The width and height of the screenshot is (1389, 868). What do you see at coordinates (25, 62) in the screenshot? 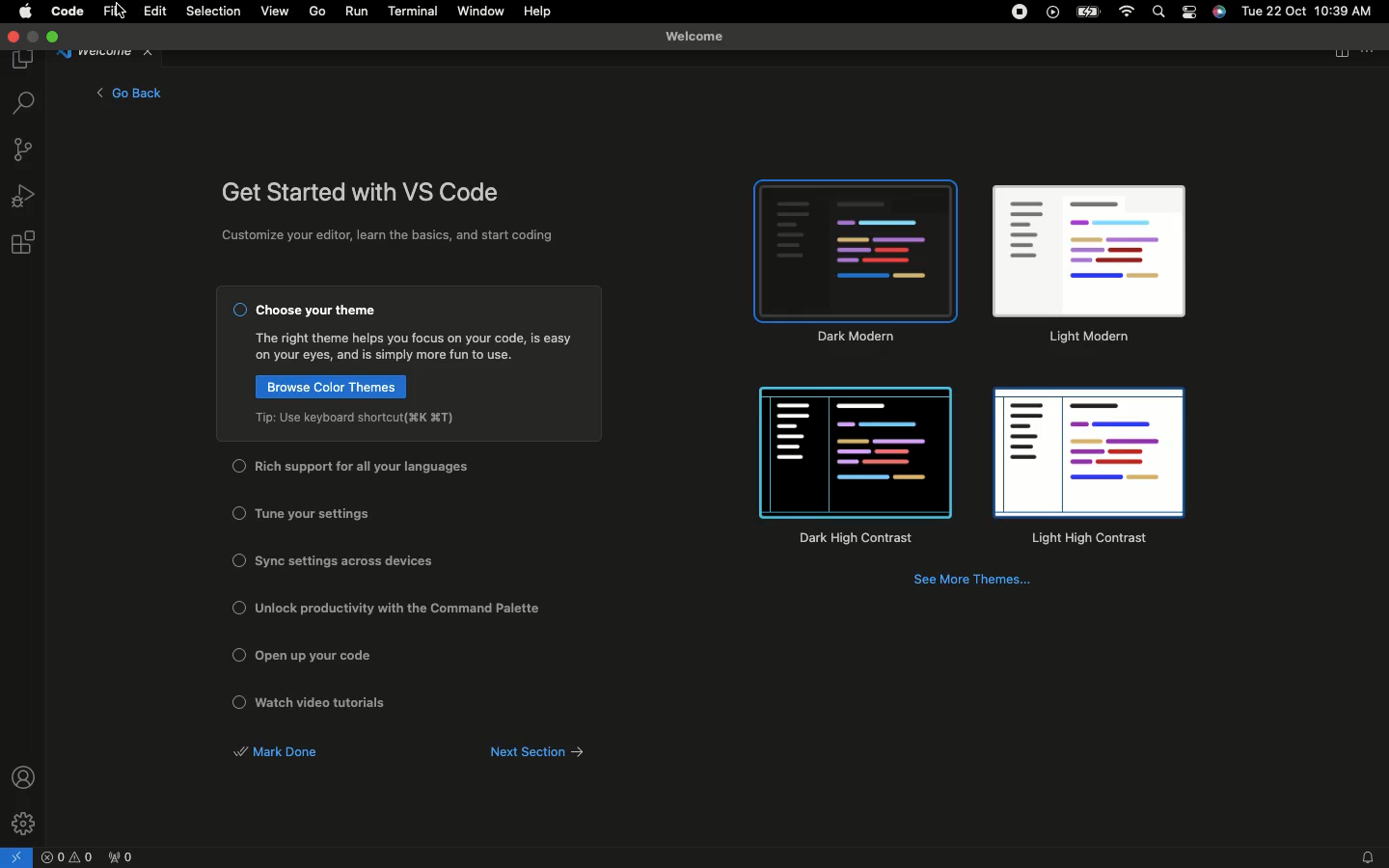
I see `Explorer` at bounding box center [25, 62].